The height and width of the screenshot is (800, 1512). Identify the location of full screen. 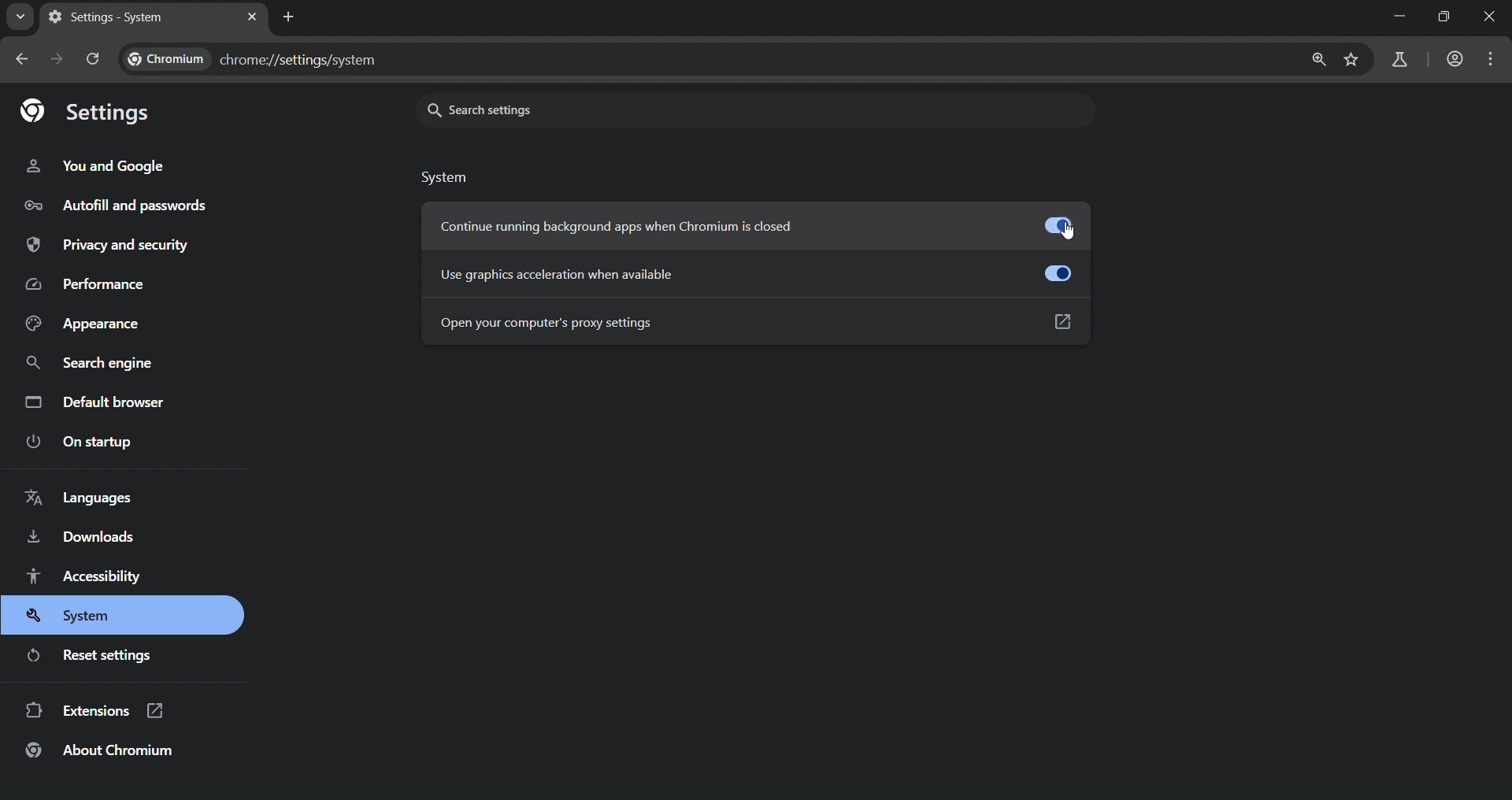
(1444, 17).